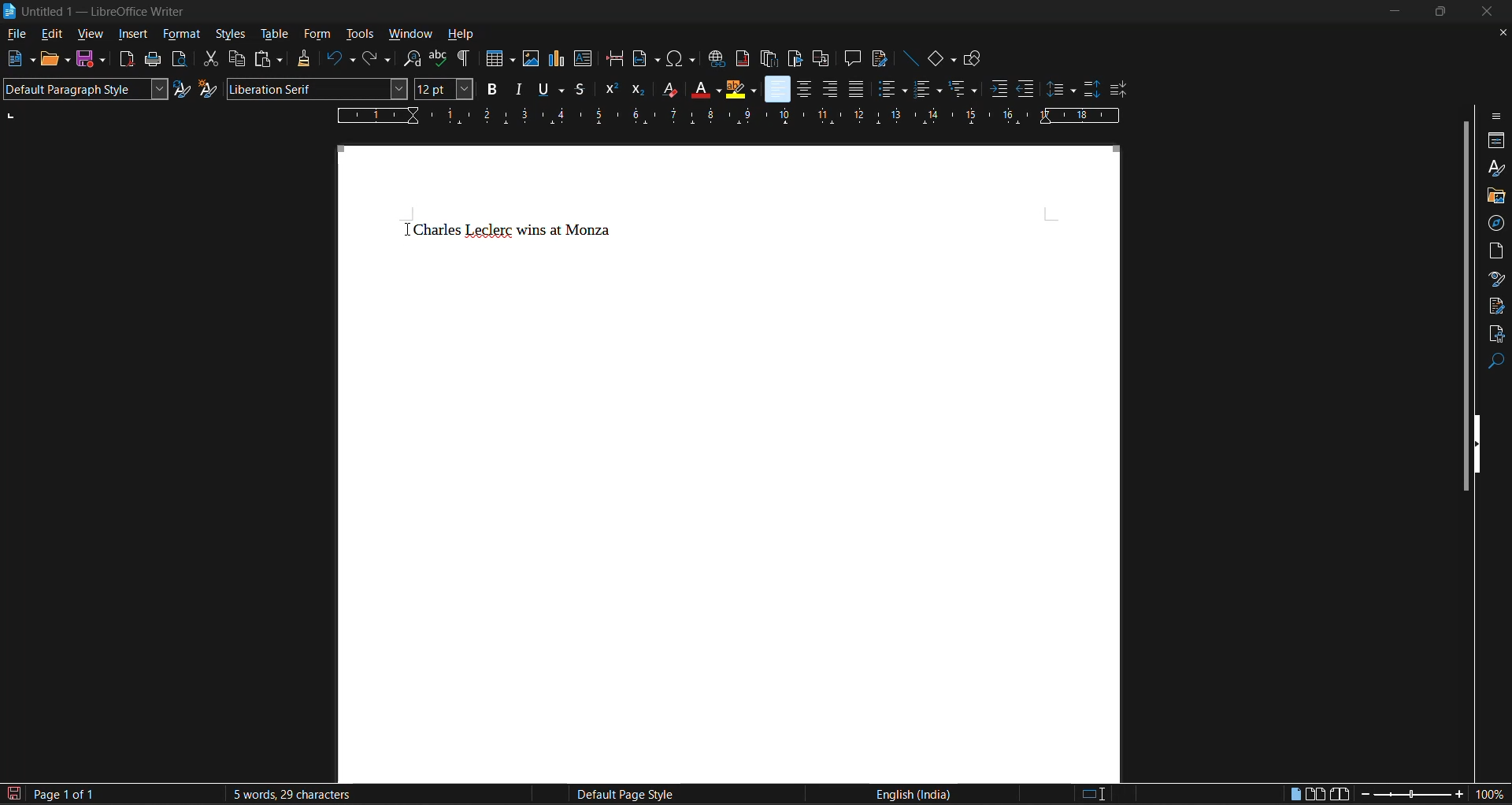 The width and height of the screenshot is (1512, 805). What do you see at coordinates (209, 58) in the screenshot?
I see `cut` at bounding box center [209, 58].